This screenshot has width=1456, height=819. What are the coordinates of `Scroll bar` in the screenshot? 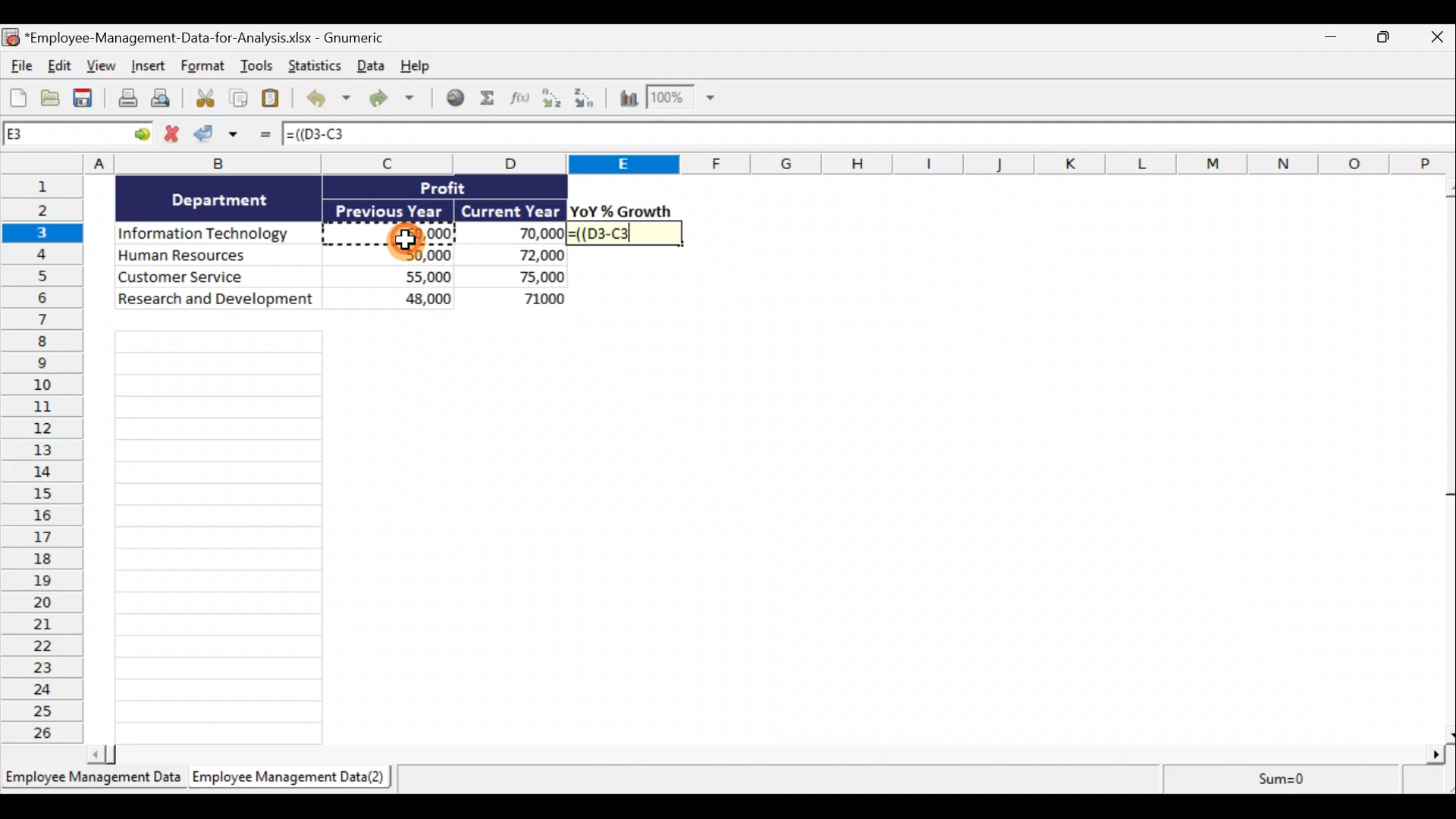 It's located at (766, 757).